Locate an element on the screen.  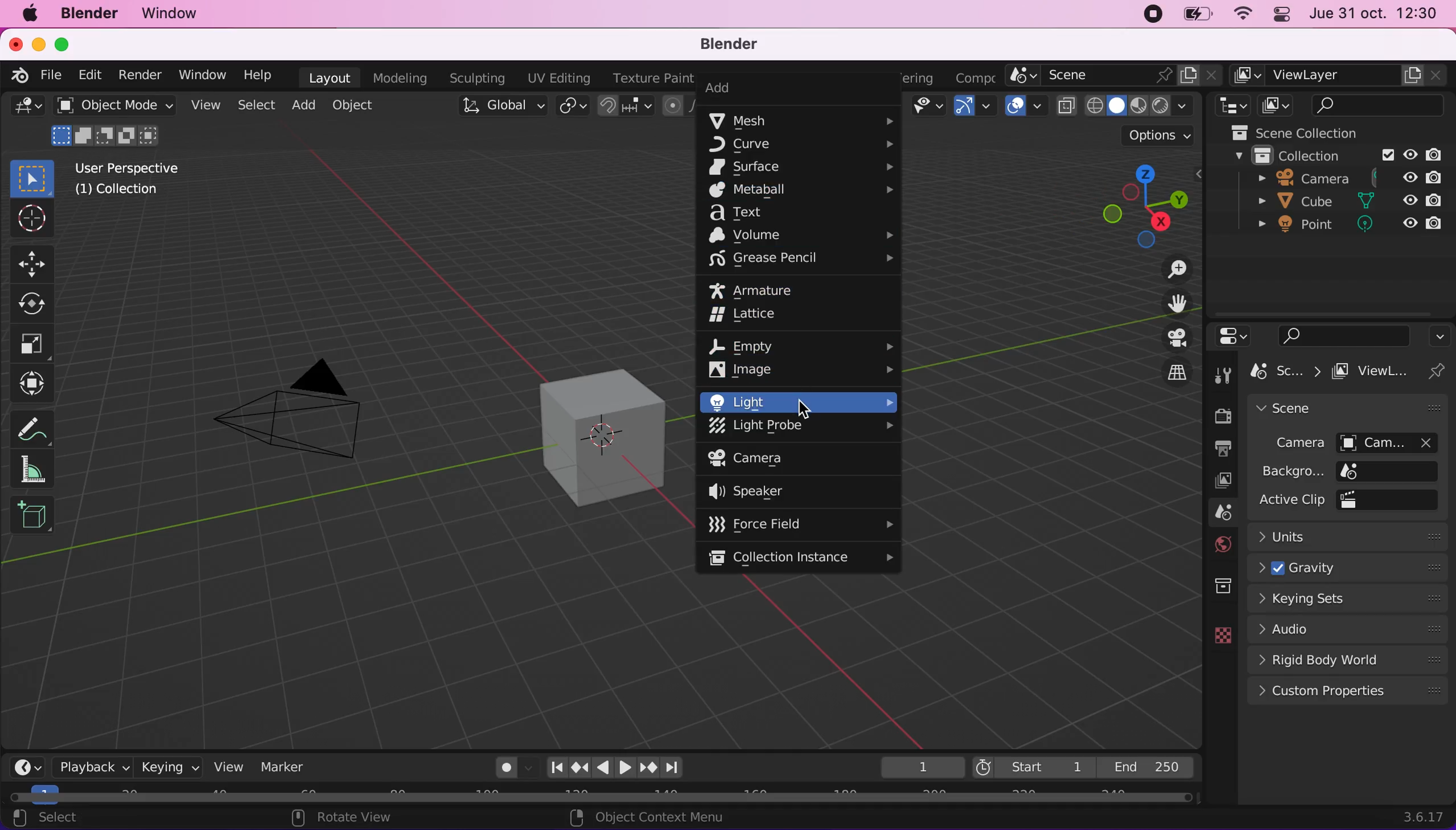
select is located at coordinates (255, 105).